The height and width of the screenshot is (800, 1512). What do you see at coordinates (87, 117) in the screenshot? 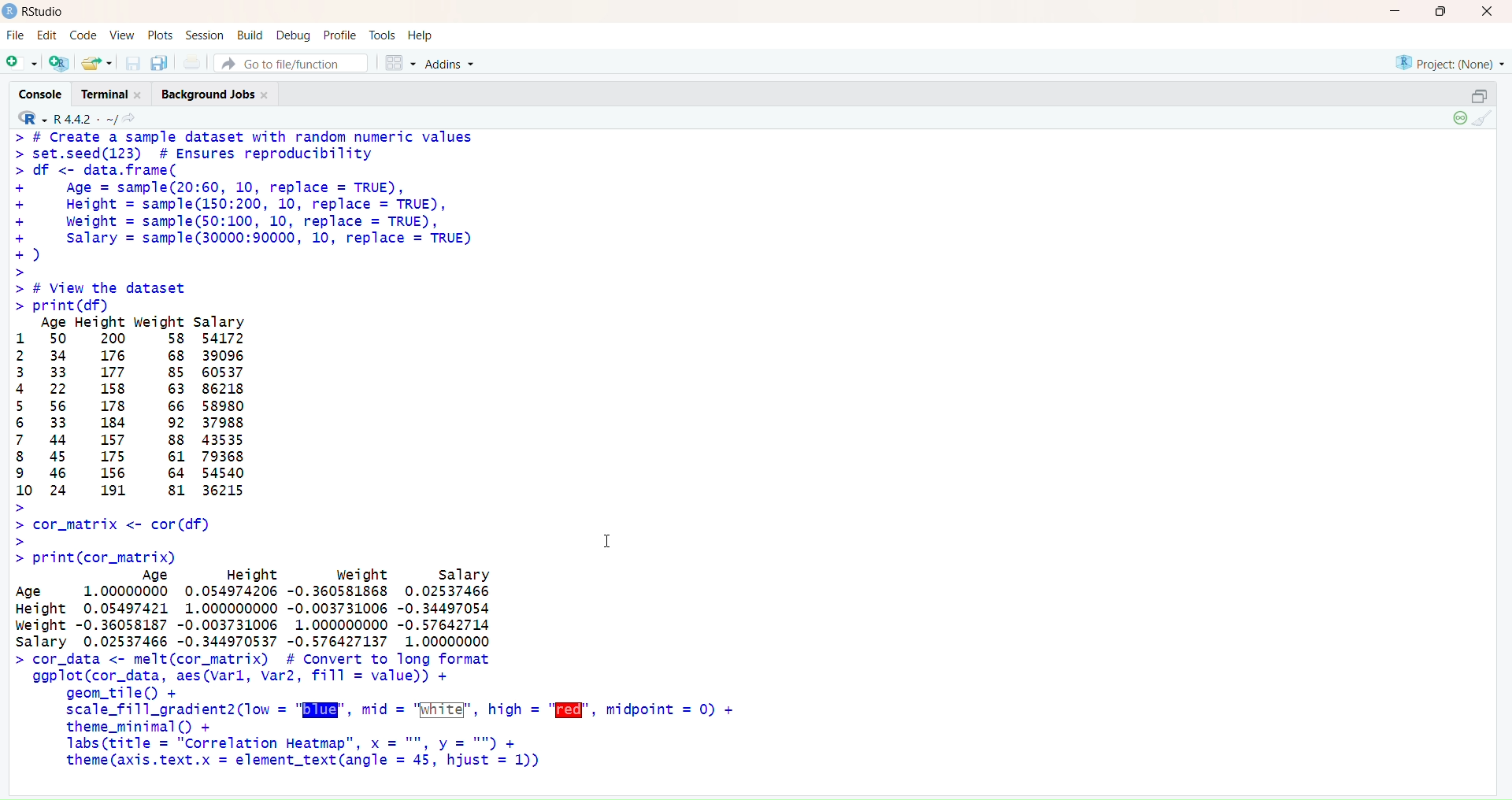
I see `R442/ ~/` at bounding box center [87, 117].